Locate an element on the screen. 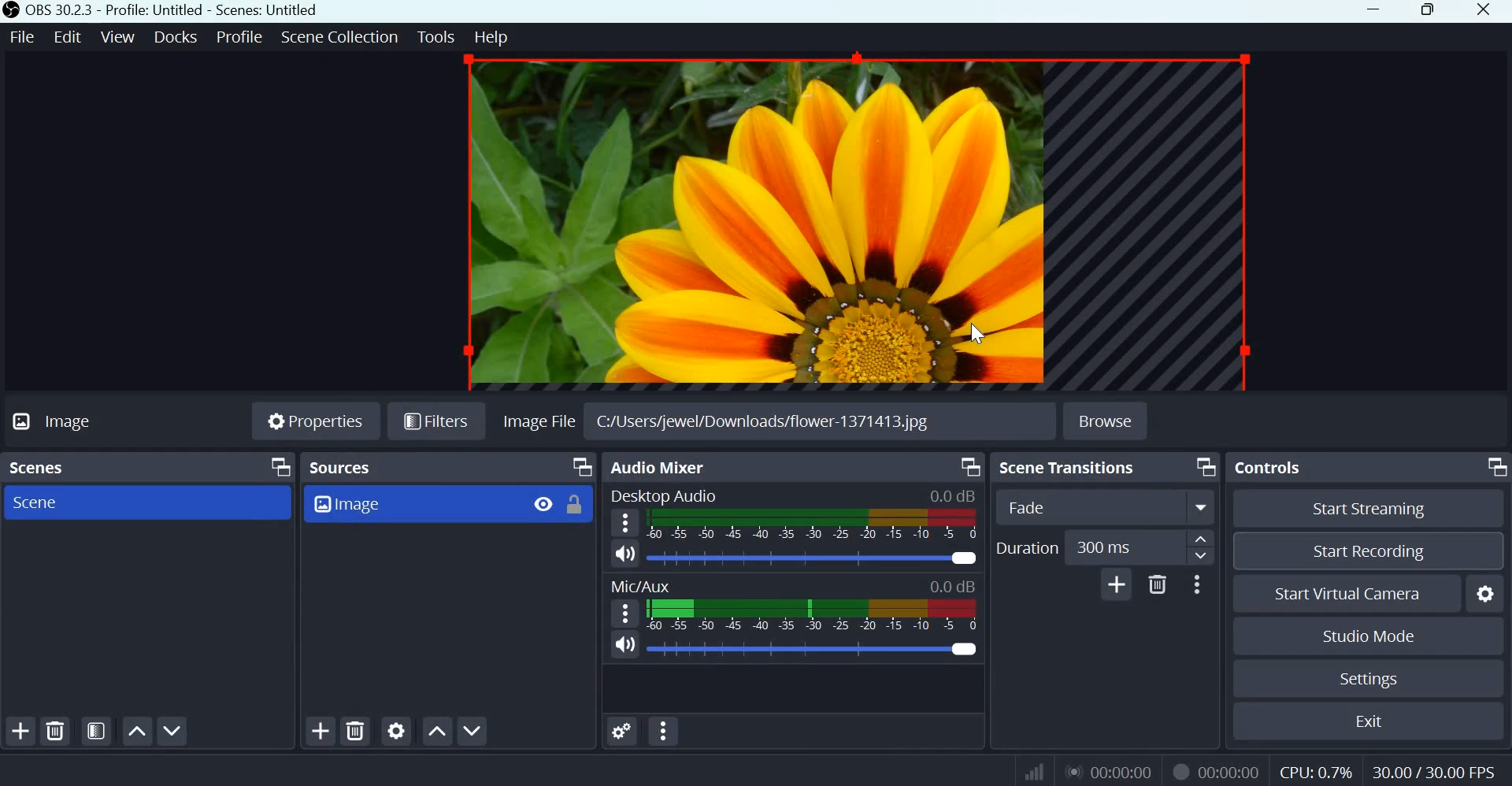  sources is located at coordinates (355, 467).